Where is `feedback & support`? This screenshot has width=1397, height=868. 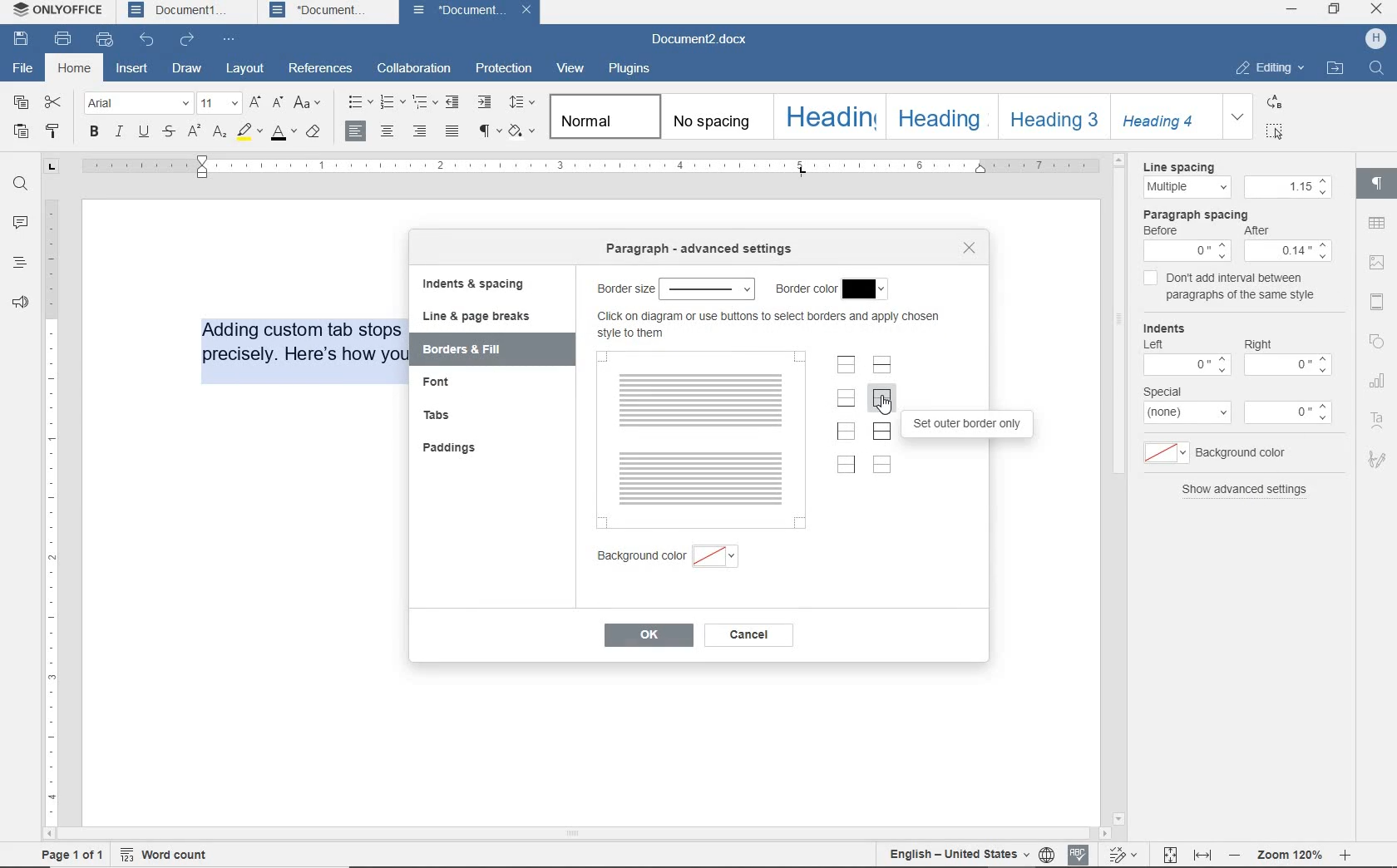 feedback & support is located at coordinates (20, 303).